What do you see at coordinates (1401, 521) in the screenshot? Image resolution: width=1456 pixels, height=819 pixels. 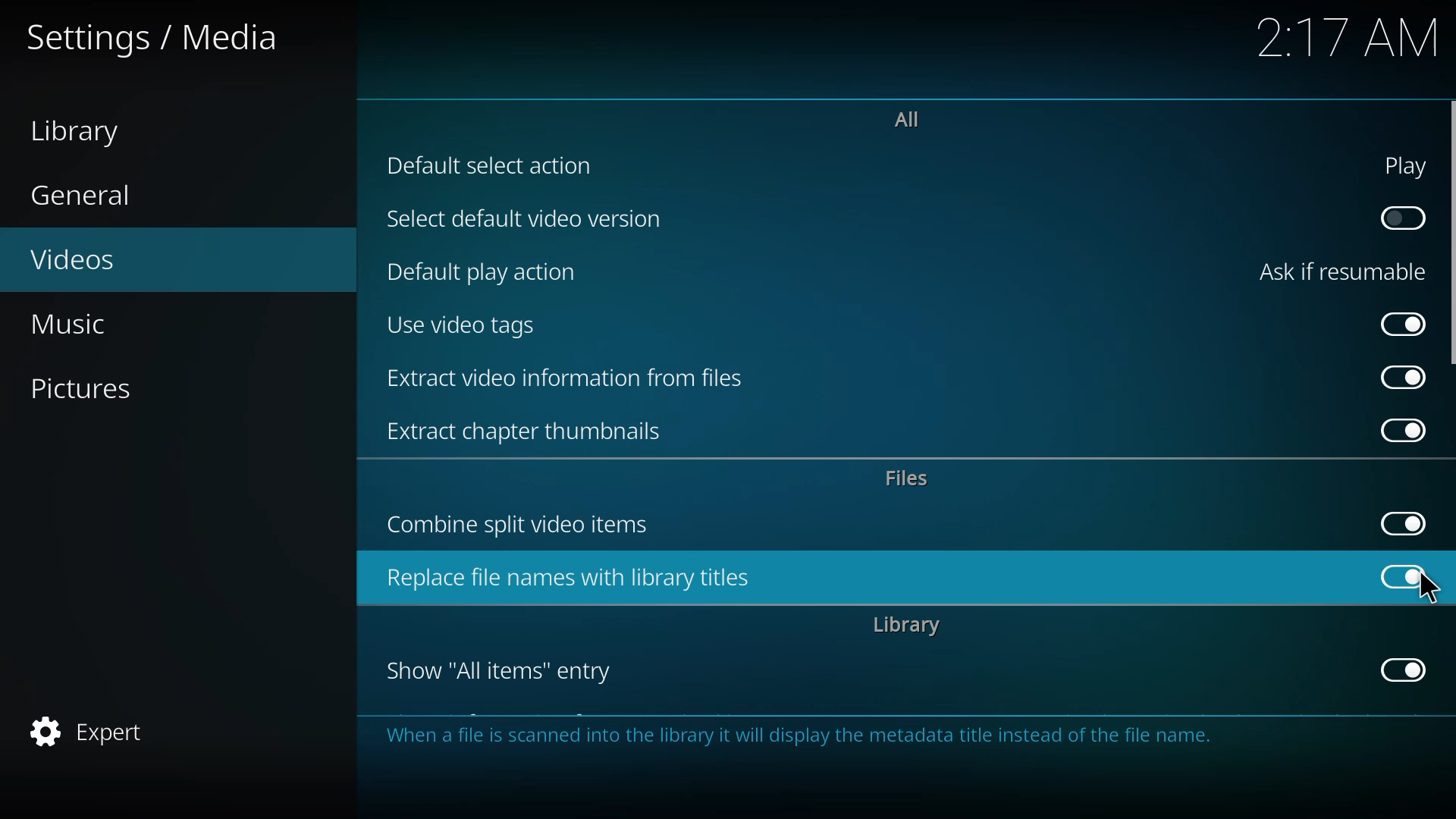 I see `enabled` at bounding box center [1401, 521].